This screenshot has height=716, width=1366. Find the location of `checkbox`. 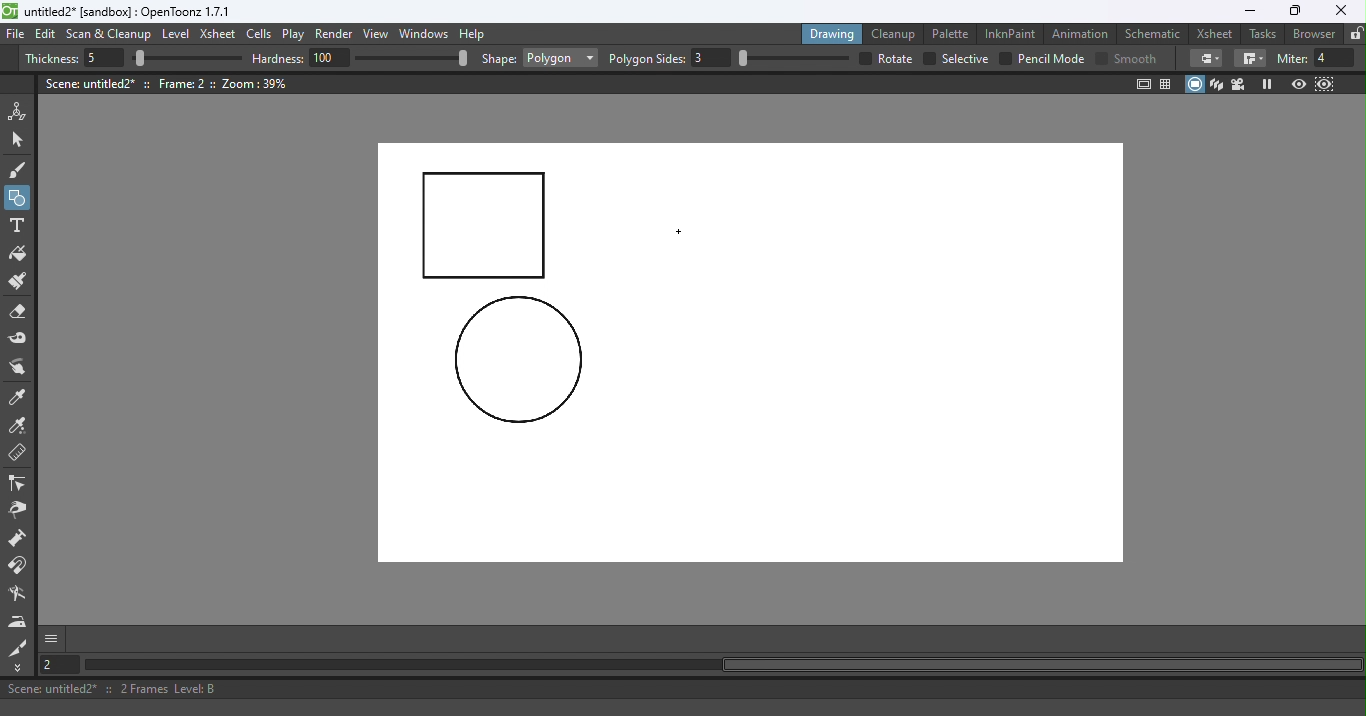

checkbox is located at coordinates (1005, 58).